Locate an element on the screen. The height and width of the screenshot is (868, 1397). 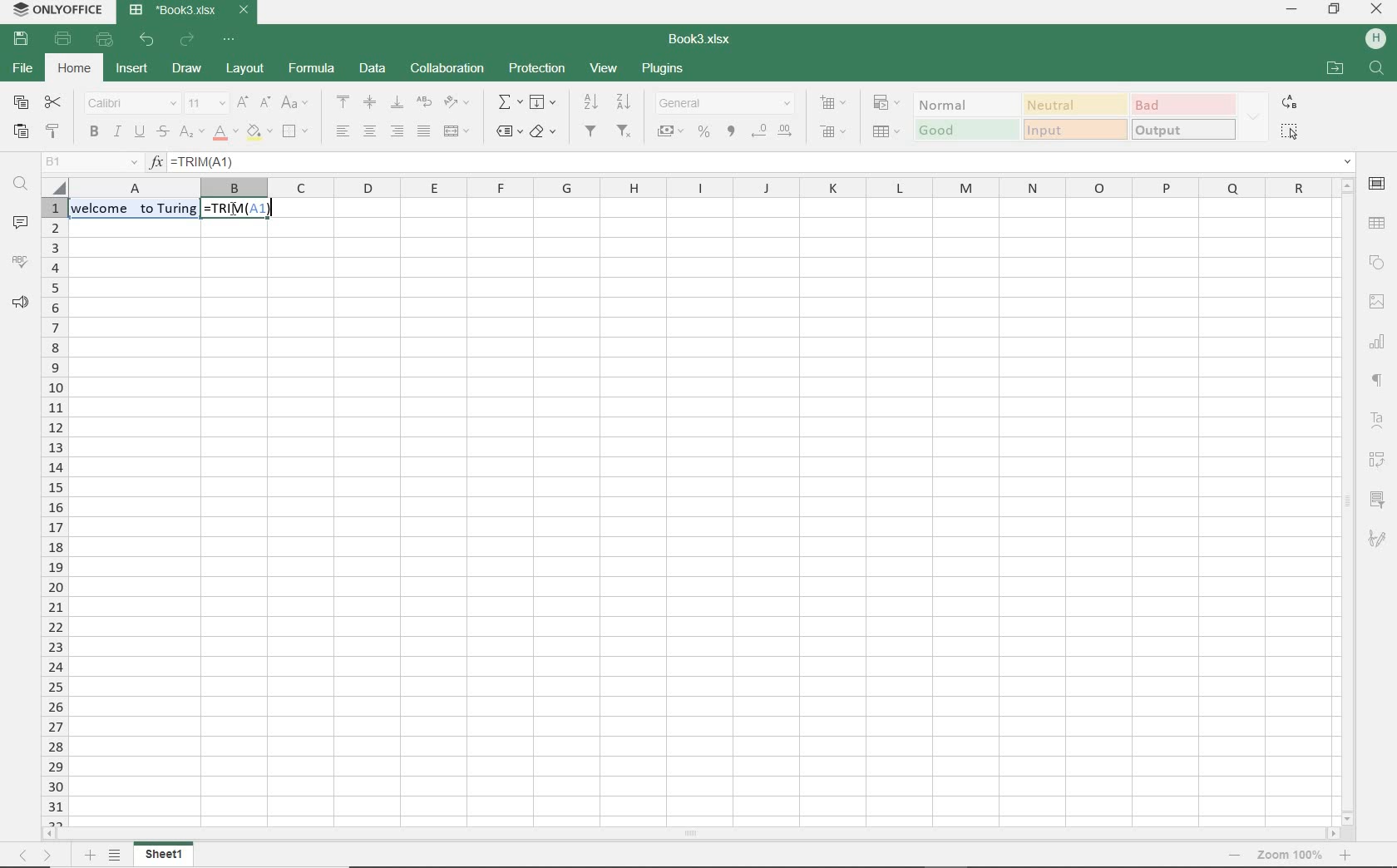
redo is located at coordinates (186, 40).